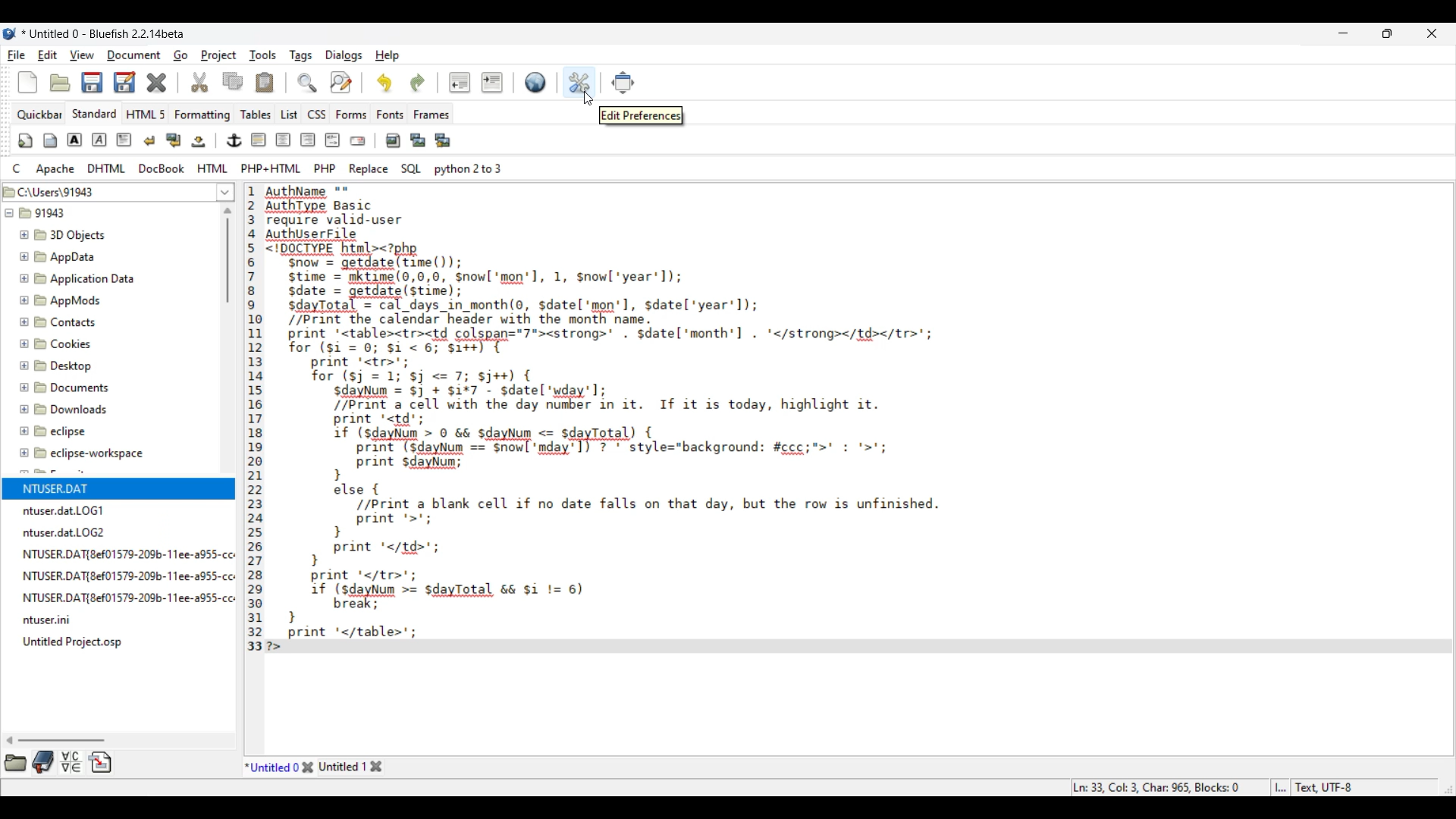 The width and height of the screenshot is (1456, 819). I want to click on Move, so click(623, 83).